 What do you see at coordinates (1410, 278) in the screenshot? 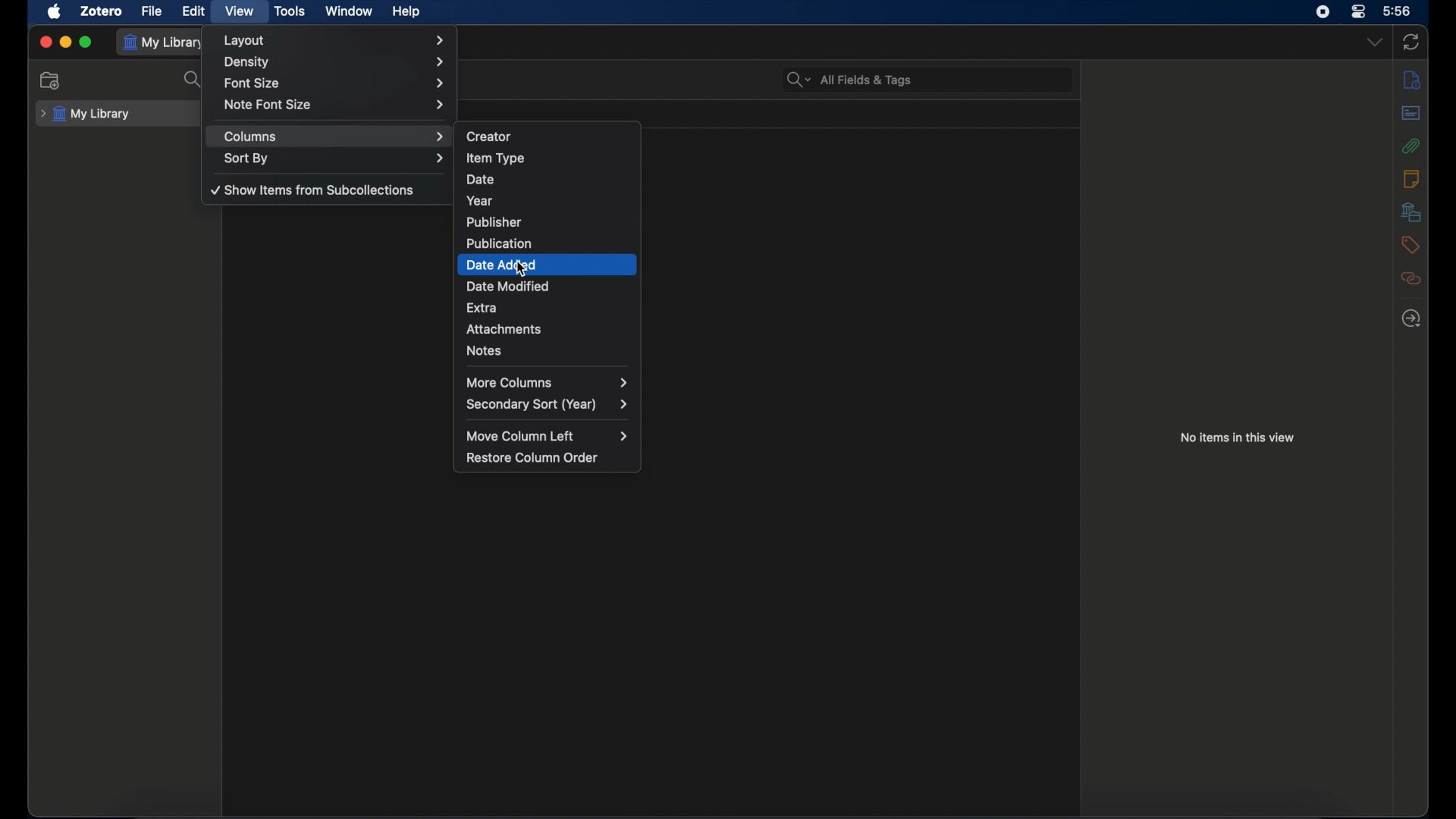
I see `related` at bounding box center [1410, 278].